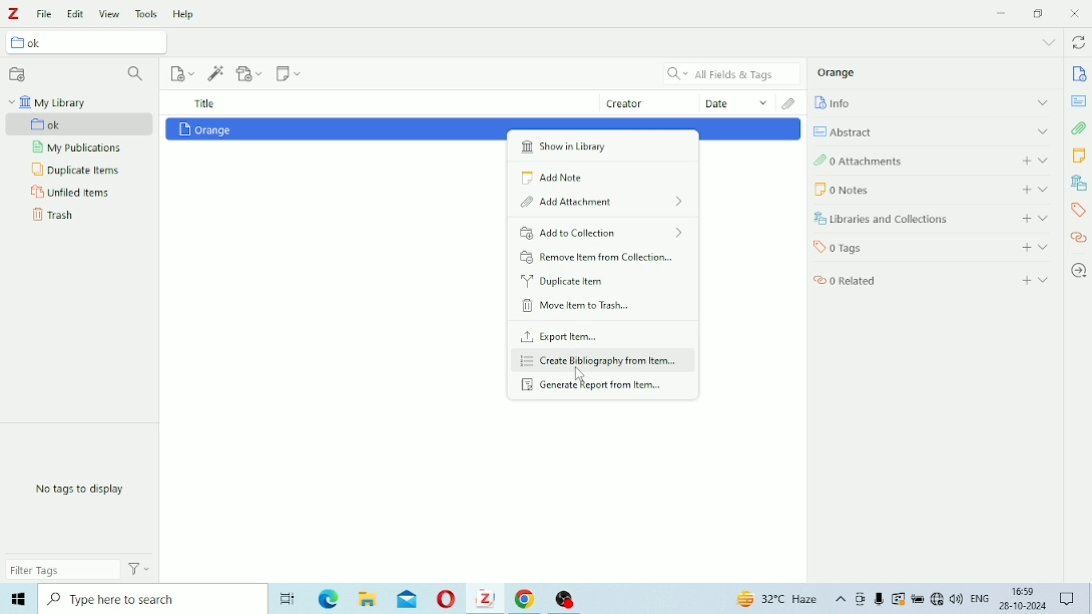 The width and height of the screenshot is (1092, 614). What do you see at coordinates (76, 14) in the screenshot?
I see `Edit` at bounding box center [76, 14].